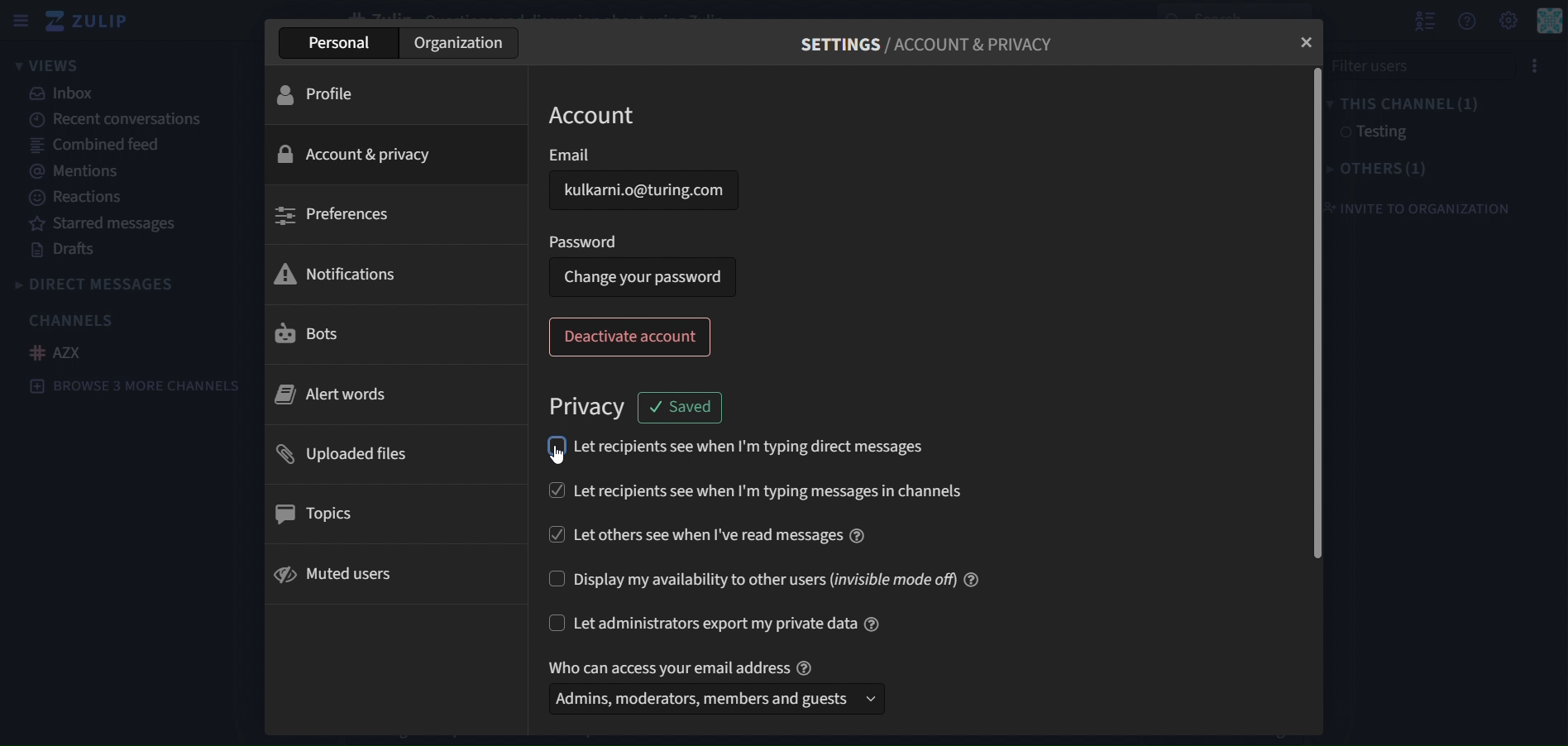 This screenshot has height=746, width=1568. I want to click on email, so click(644, 154).